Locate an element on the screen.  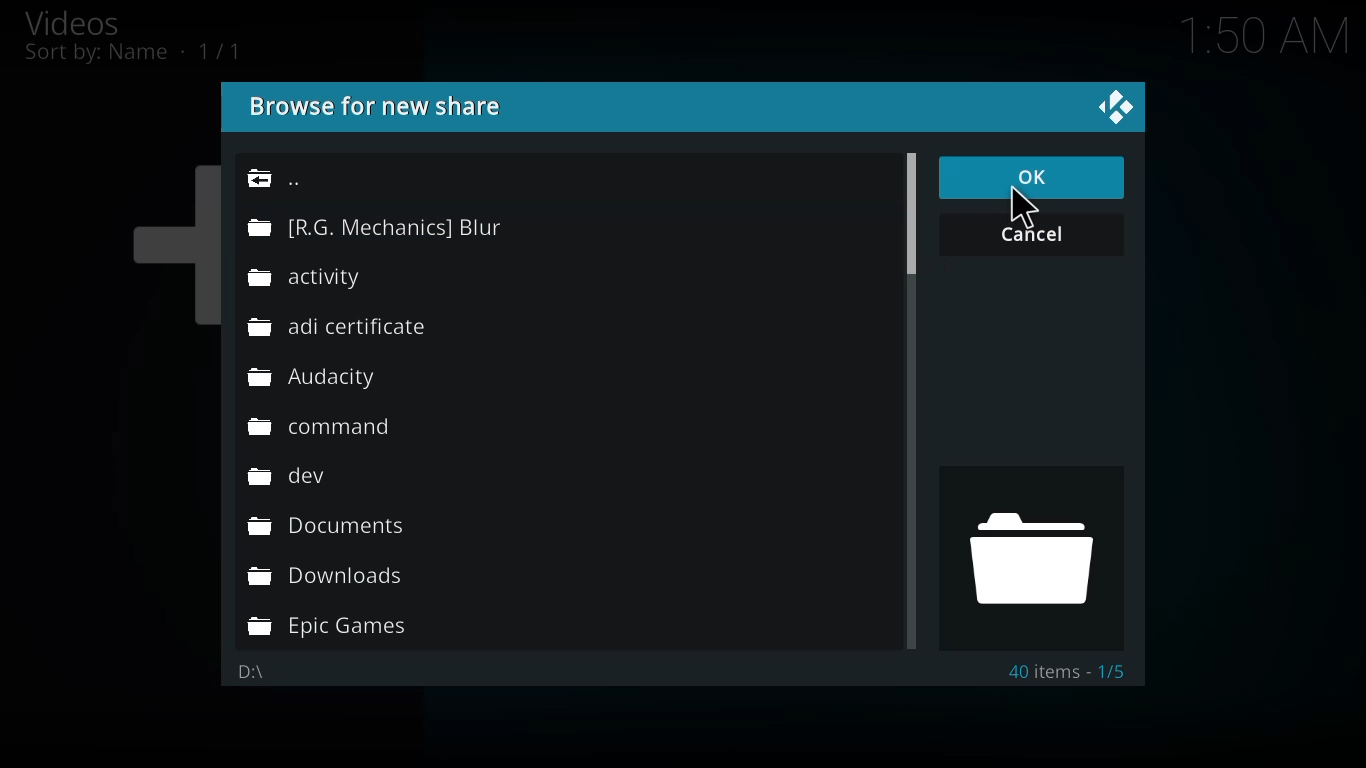
sort by name is located at coordinates (133, 56).